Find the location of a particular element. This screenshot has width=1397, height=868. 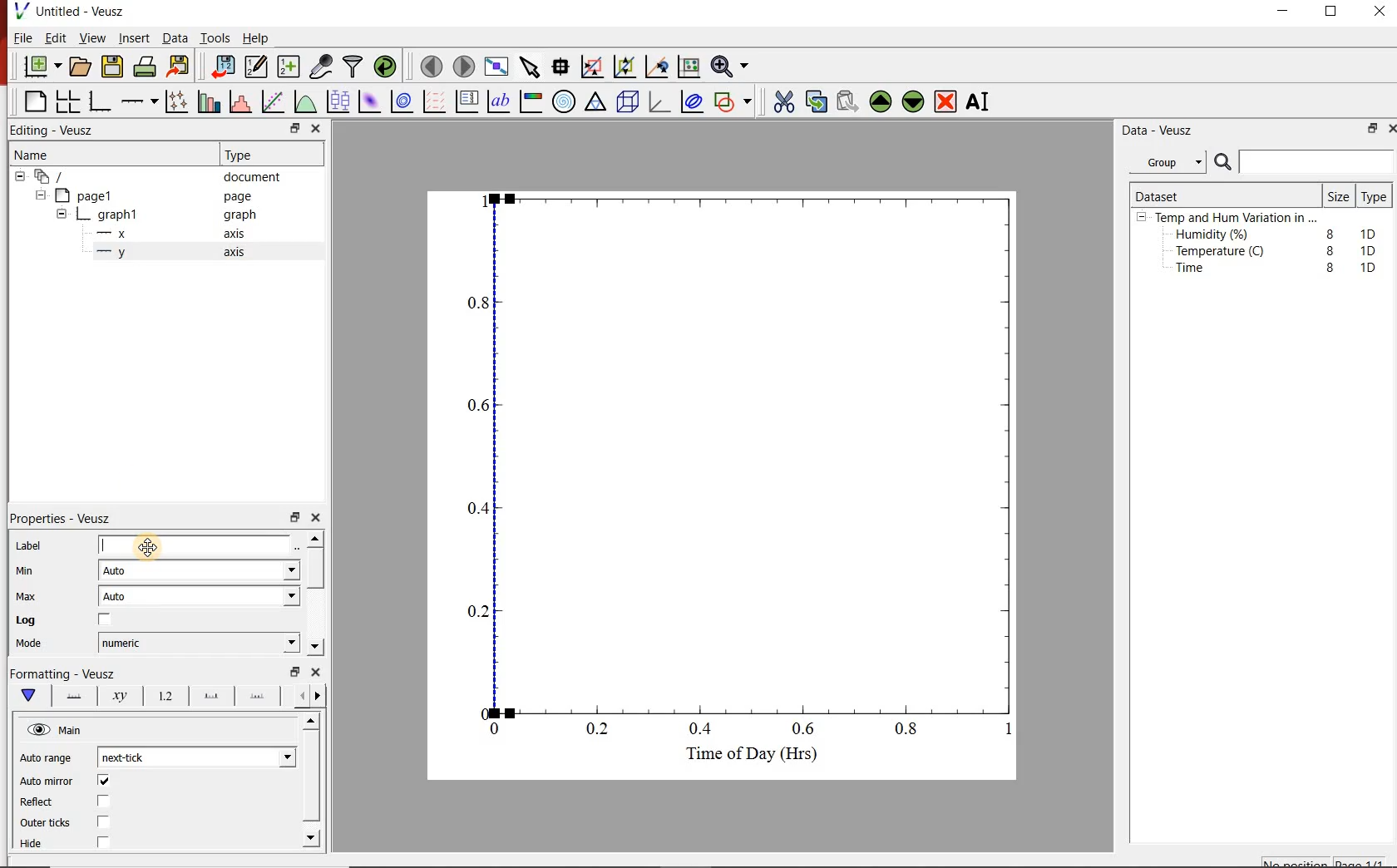

Mode is located at coordinates (42, 645).